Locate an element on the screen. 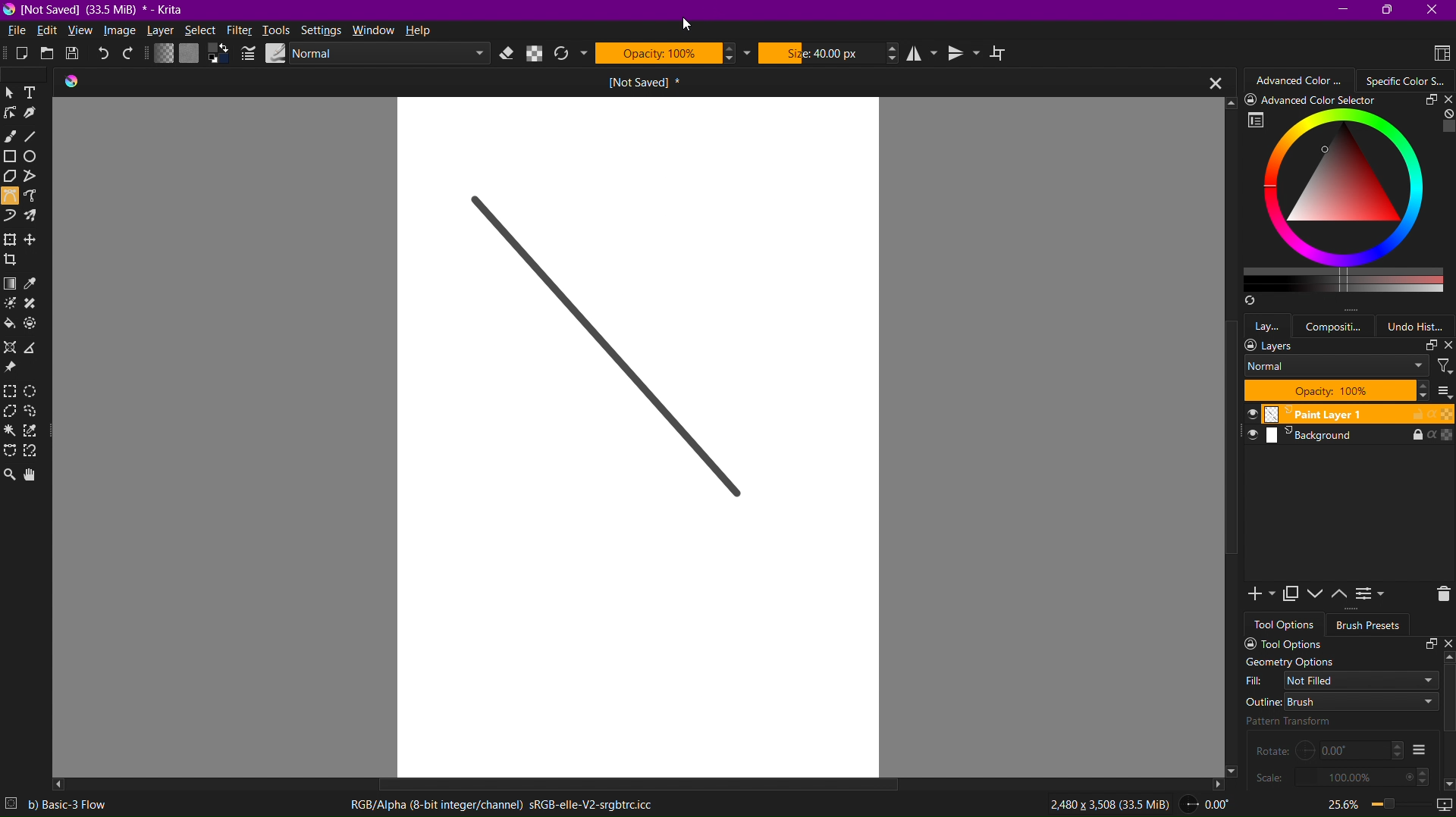  canvas is located at coordinates (636, 437).